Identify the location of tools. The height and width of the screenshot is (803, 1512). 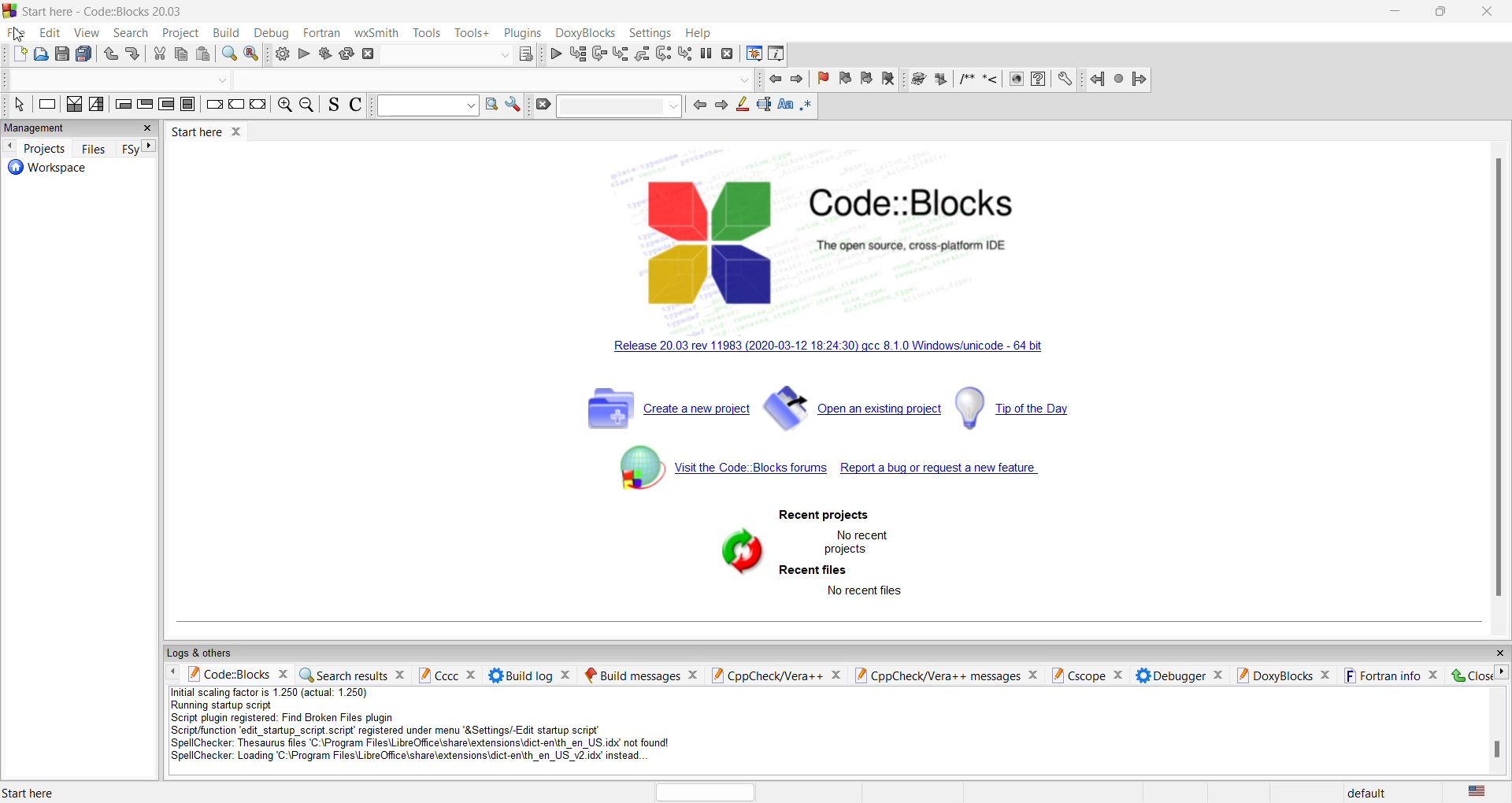
(428, 33).